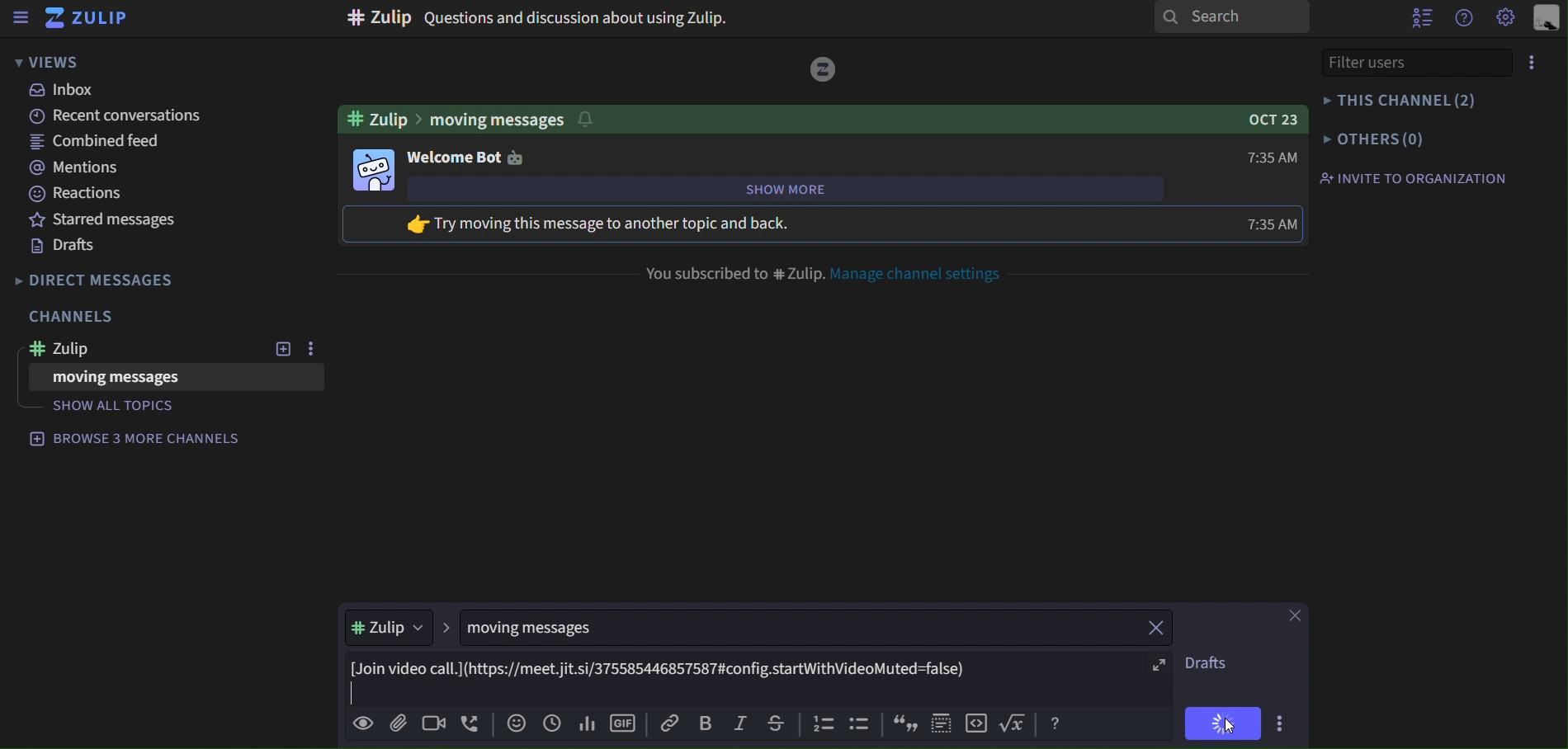  I want to click on direct messages, so click(106, 282).